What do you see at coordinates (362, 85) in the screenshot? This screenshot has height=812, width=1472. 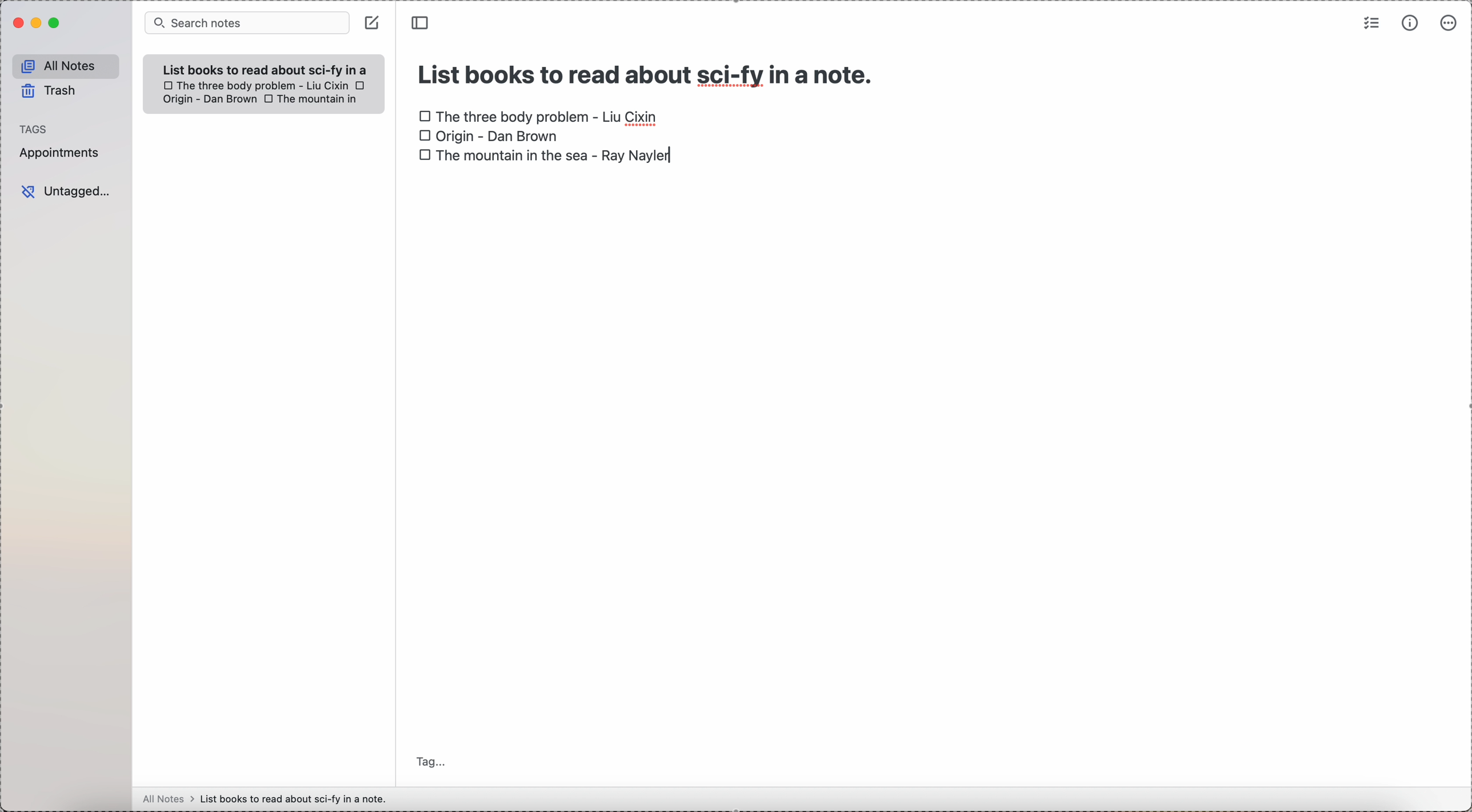 I see `checkbox` at bounding box center [362, 85].